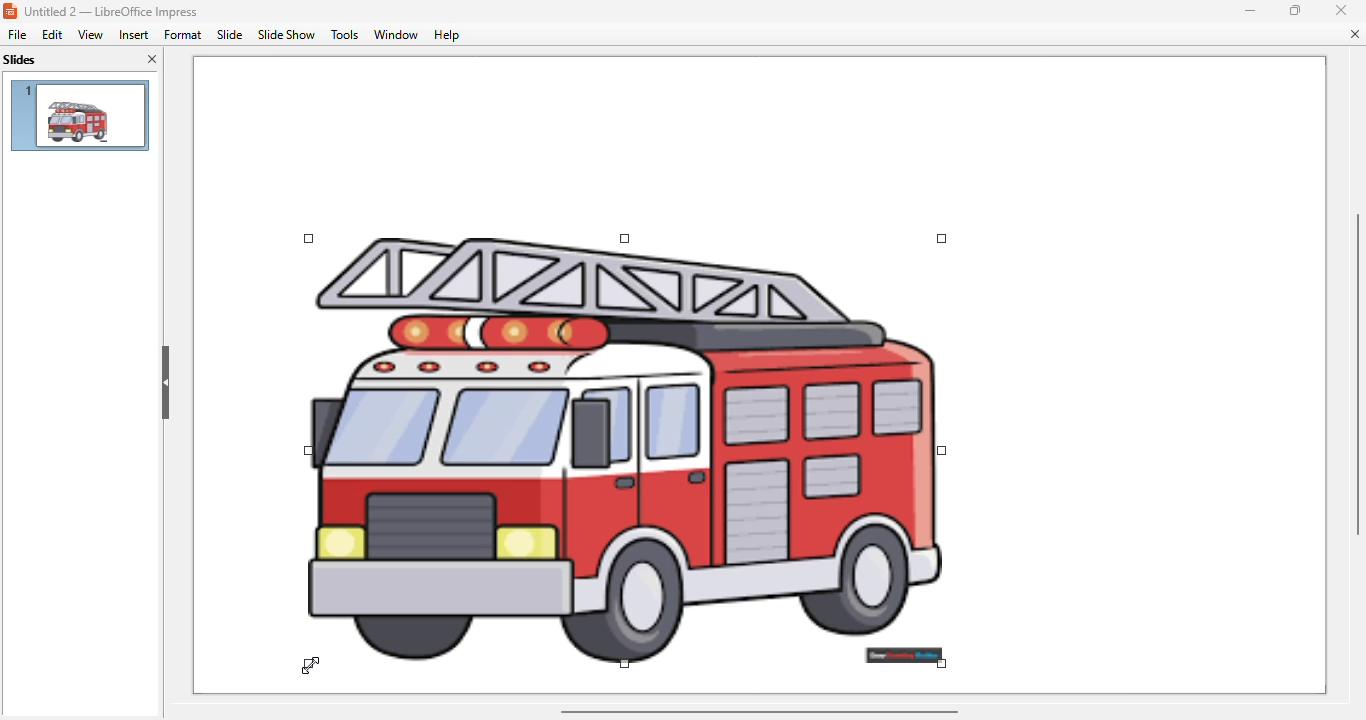 Image resolution: width=1366 pixels, height=720 pixels. Describe the element at coordinates (309, 663) in the screenshot. I see `corner handles` at that location.